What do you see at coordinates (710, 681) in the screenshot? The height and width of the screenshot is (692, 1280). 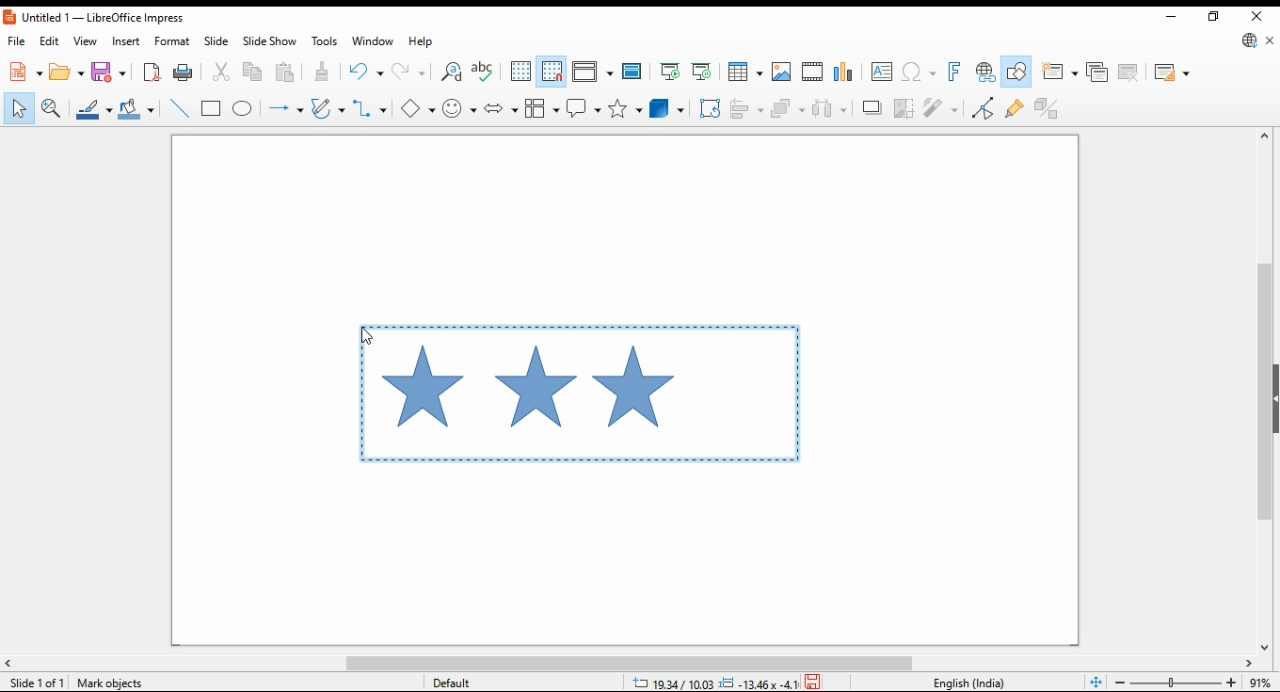 I see `dimensions` at bounding box center [710, 681].